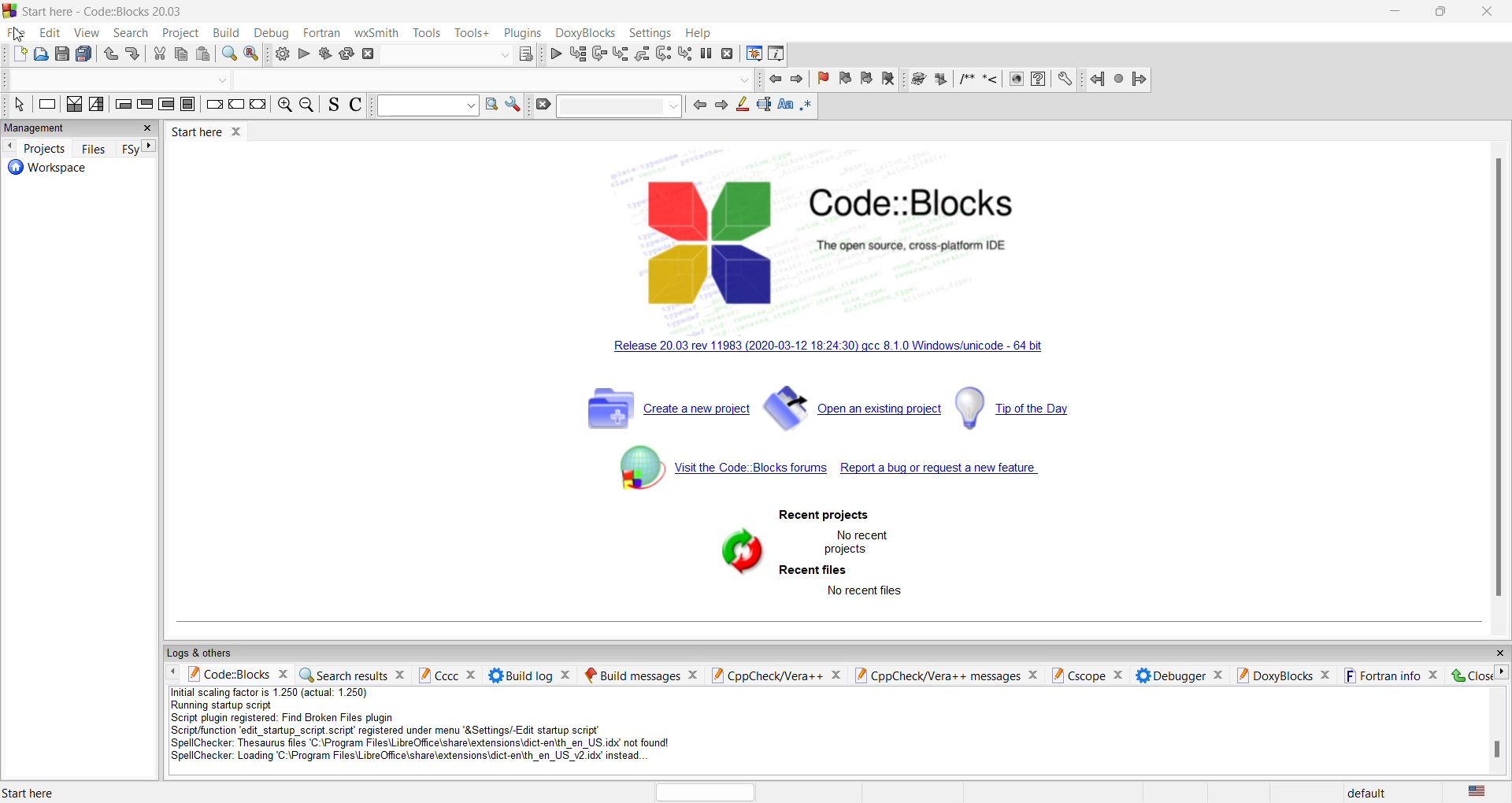 The image size is (1512, 803). I want to click on instruction, so click(46, 107).